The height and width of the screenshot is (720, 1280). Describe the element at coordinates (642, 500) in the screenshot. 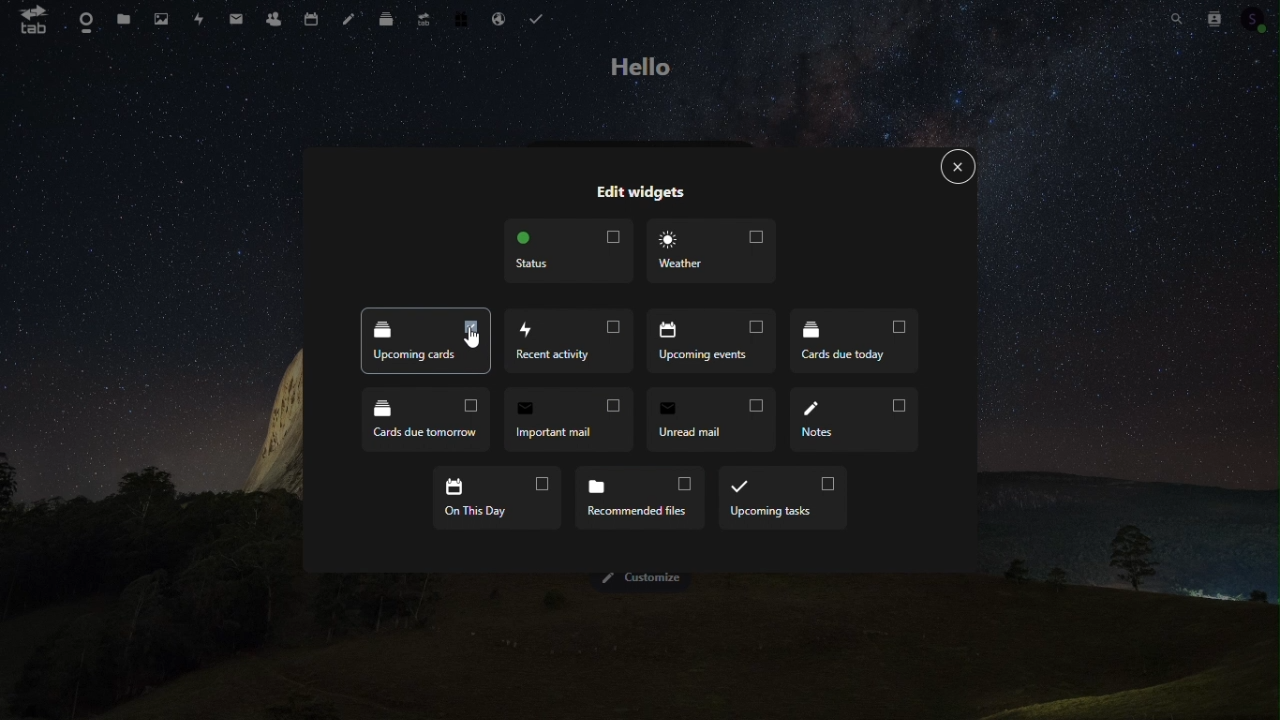

I see `Recommended files` at that location.